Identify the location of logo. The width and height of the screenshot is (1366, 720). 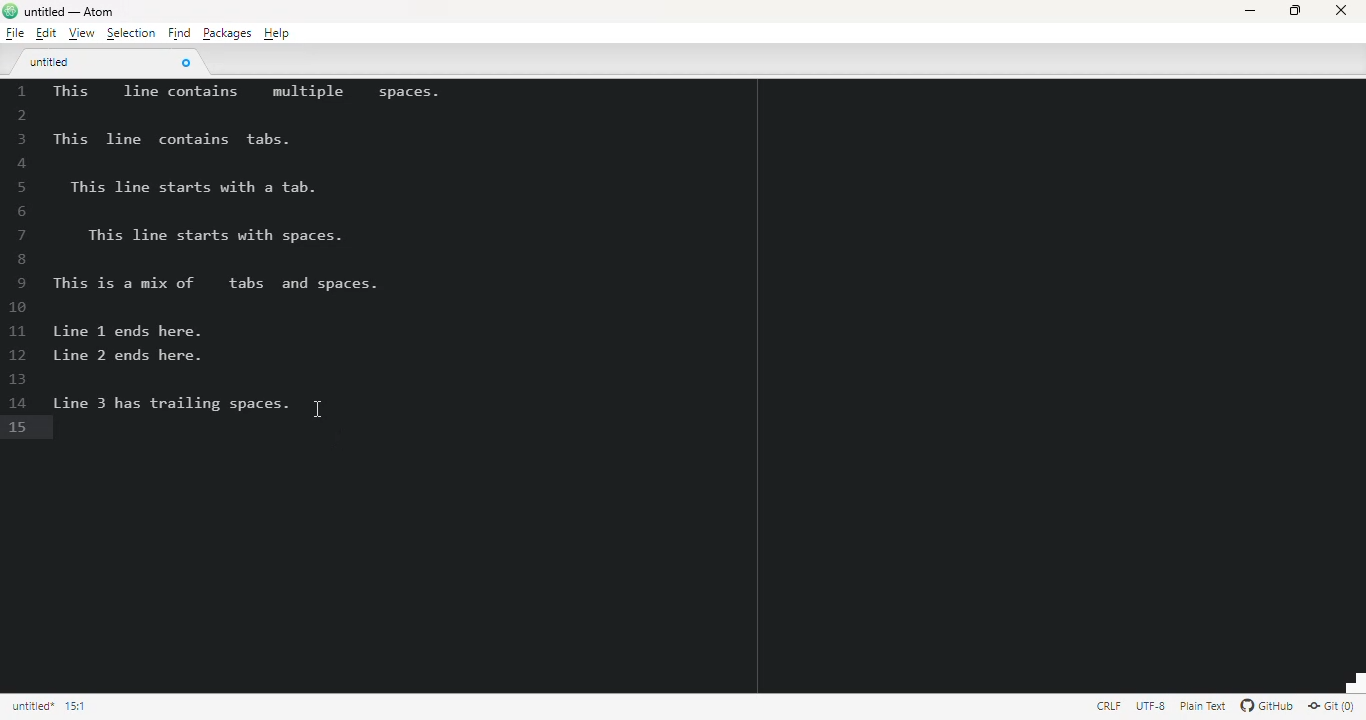
(10, 10).